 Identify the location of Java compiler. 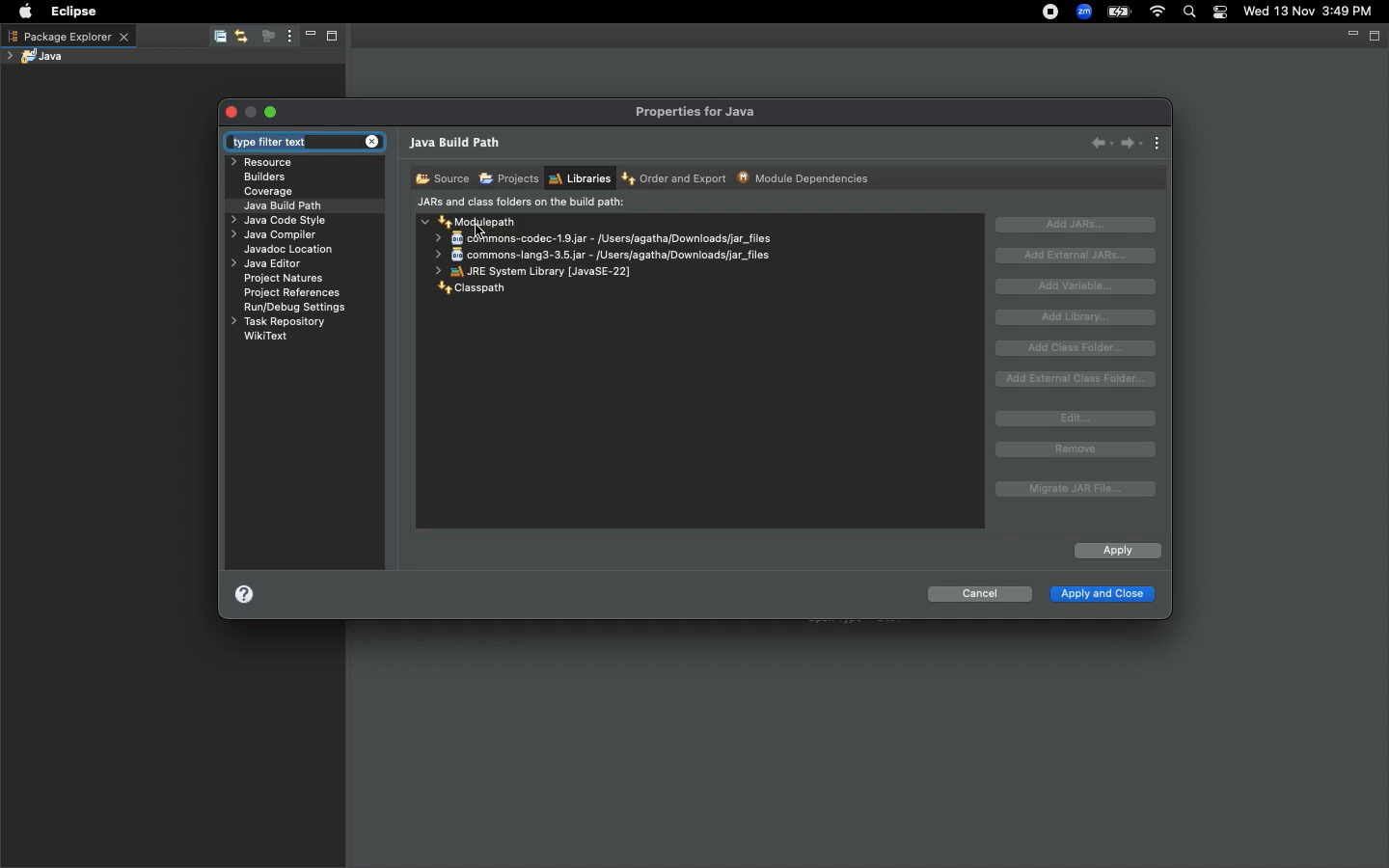
(277, 237).